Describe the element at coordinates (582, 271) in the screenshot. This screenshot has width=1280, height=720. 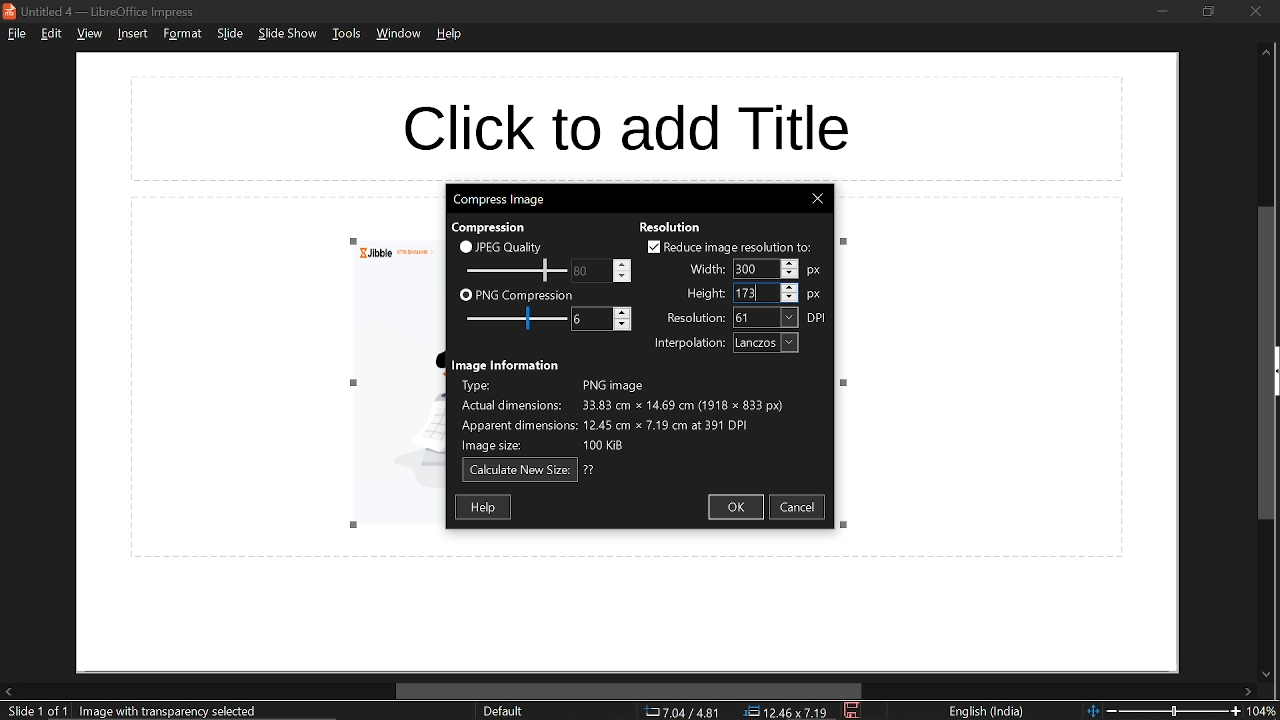
I see `change JPEG quality` at that location.